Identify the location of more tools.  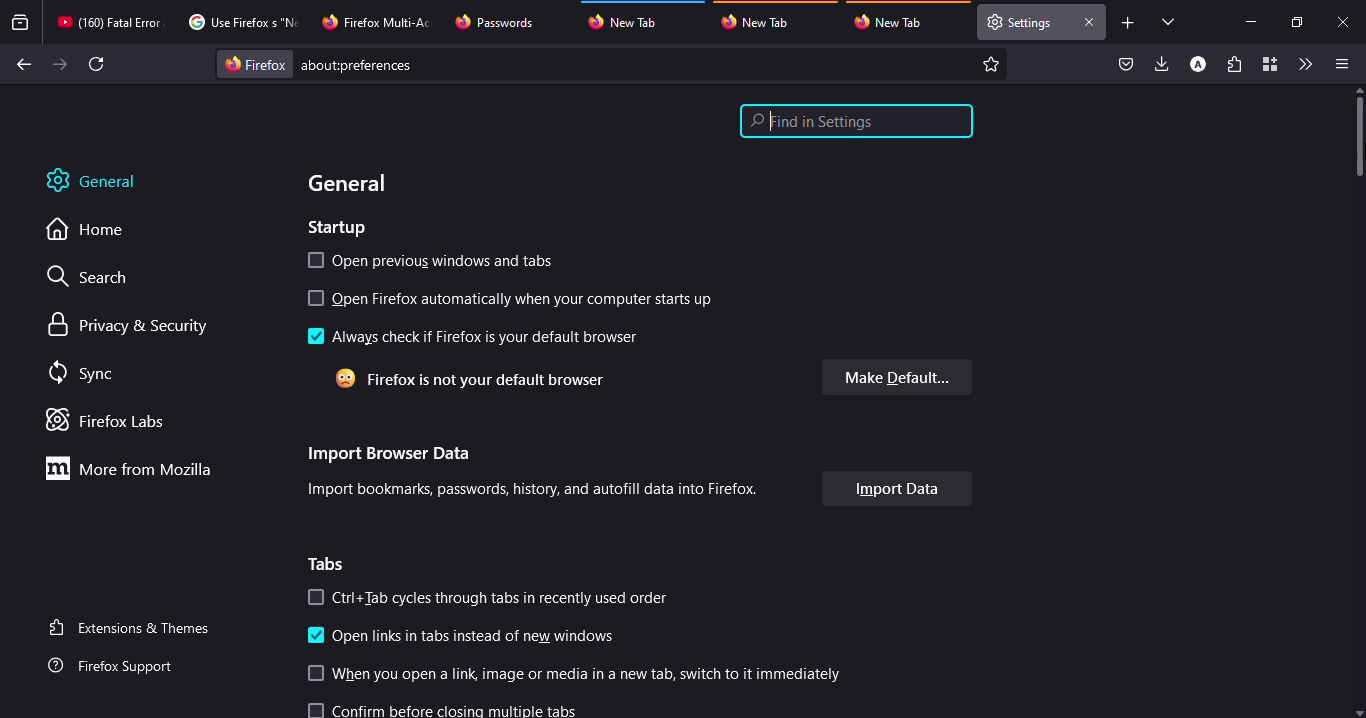
(1304, 64).